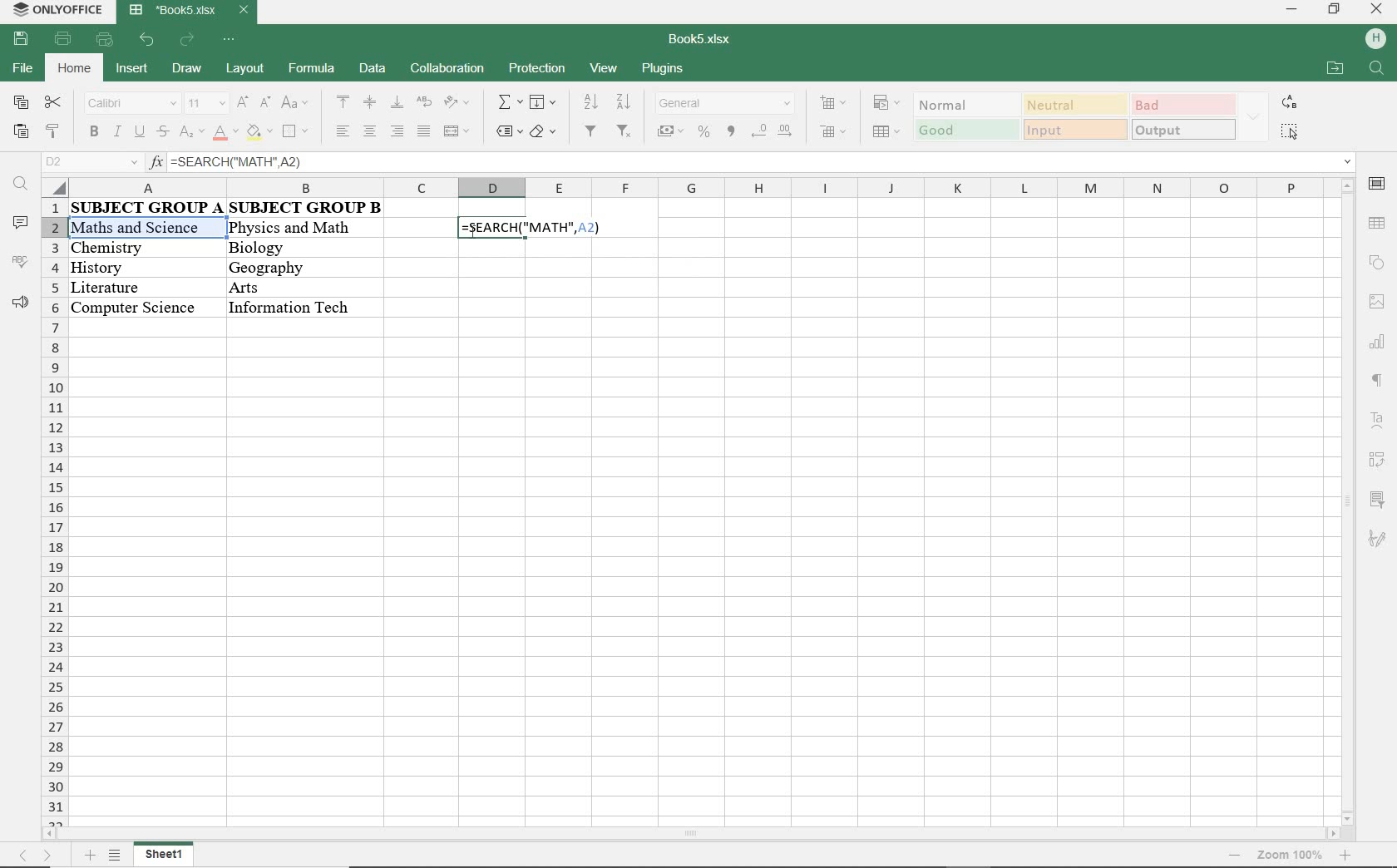 This screenshot has width=1397, height=868. Describe the element at coordinates (289, 249) in the screenshot. I see `biology` at that location.